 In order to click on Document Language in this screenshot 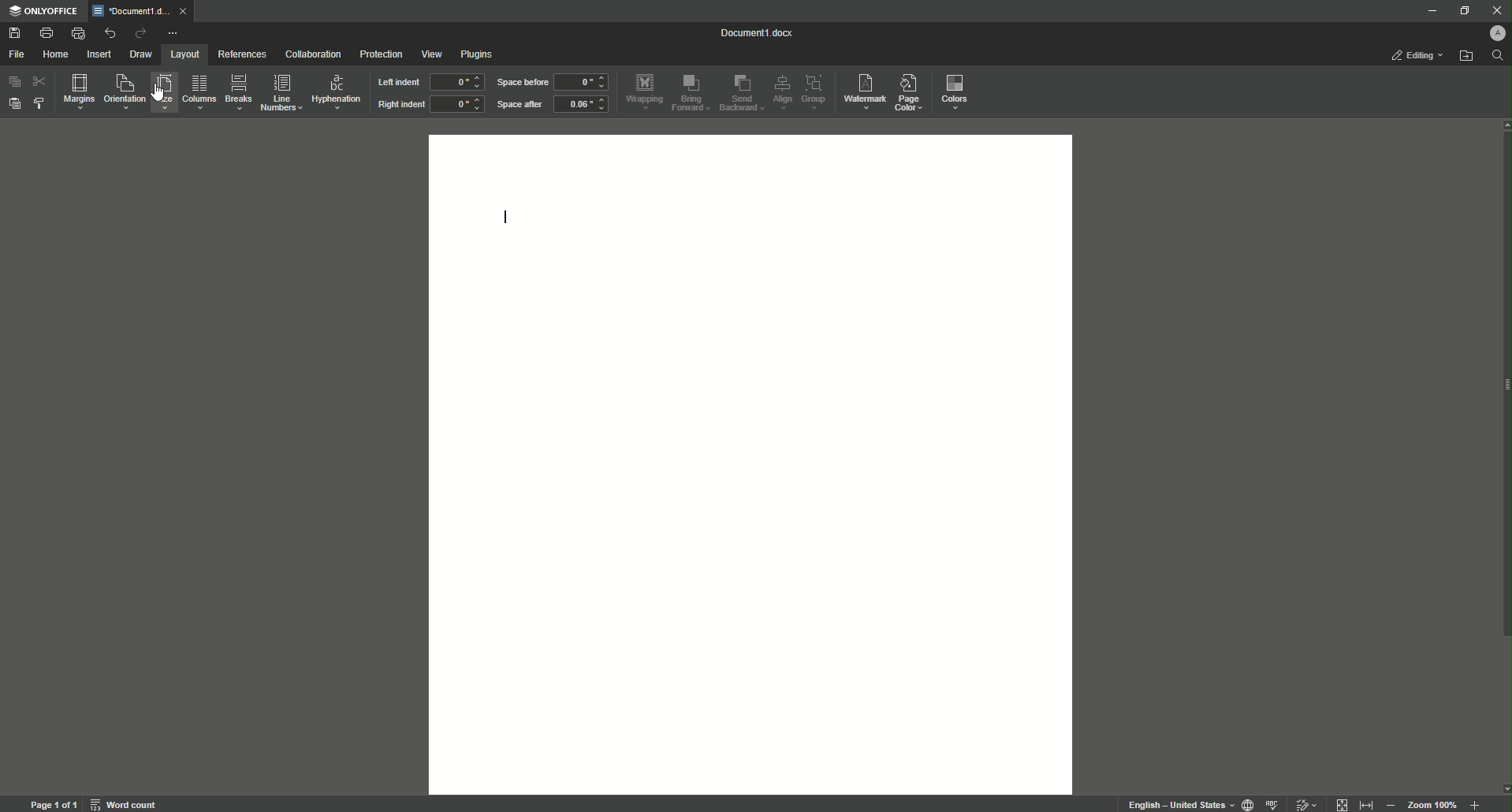, I will do `click(1245, 803)`.